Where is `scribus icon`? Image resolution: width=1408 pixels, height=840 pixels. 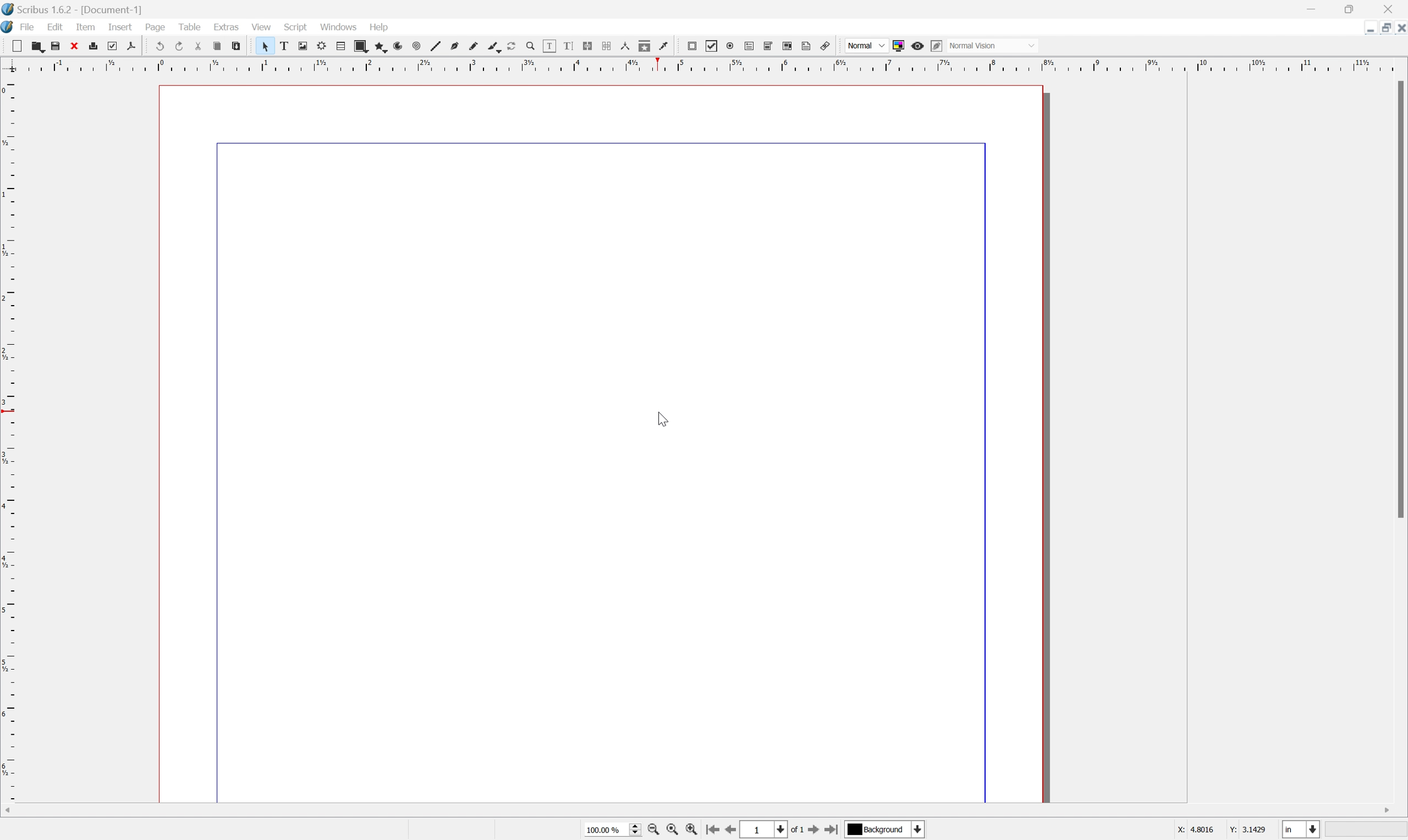 scribus icon is located at coordinates (9, 28).